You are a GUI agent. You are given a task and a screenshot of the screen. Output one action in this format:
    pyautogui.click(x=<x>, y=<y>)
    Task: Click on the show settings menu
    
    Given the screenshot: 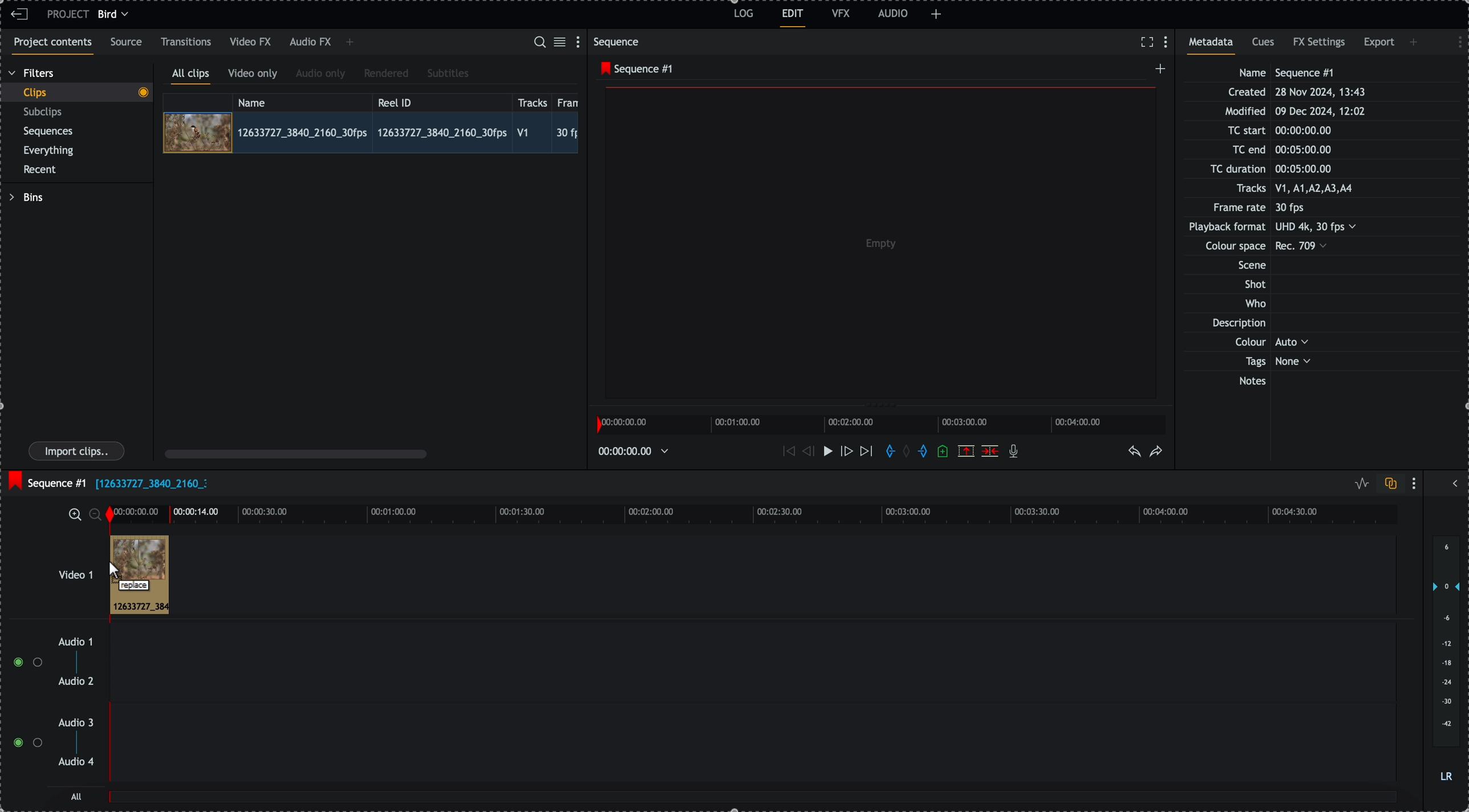 What is the action you would take?
    pyautogui.click(x=1454, y=40)
    